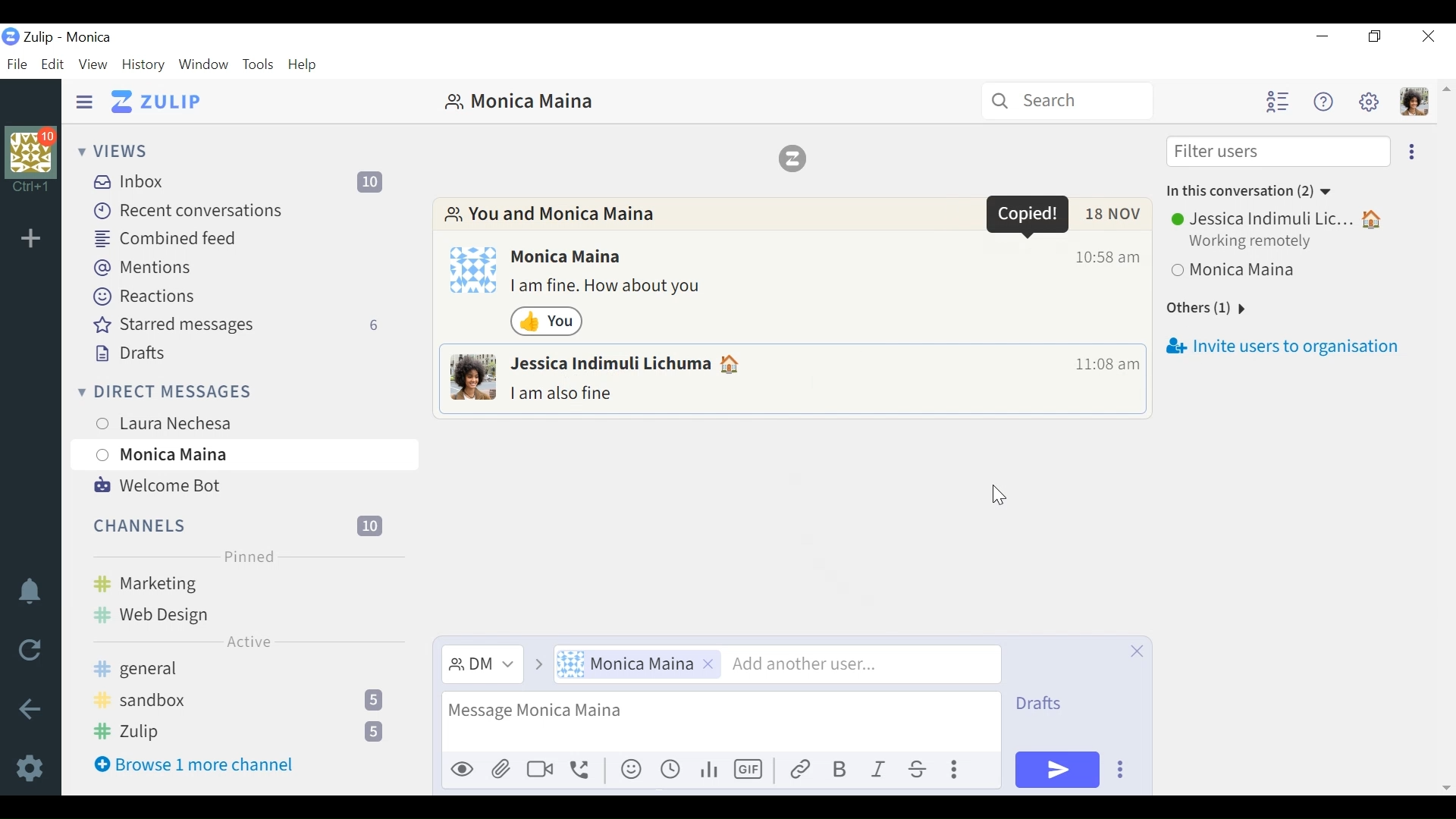  What do you see at coordinates (207, 420) in the screenshot?
I see `Laura Nechesa` at bounding box center [207, 420].